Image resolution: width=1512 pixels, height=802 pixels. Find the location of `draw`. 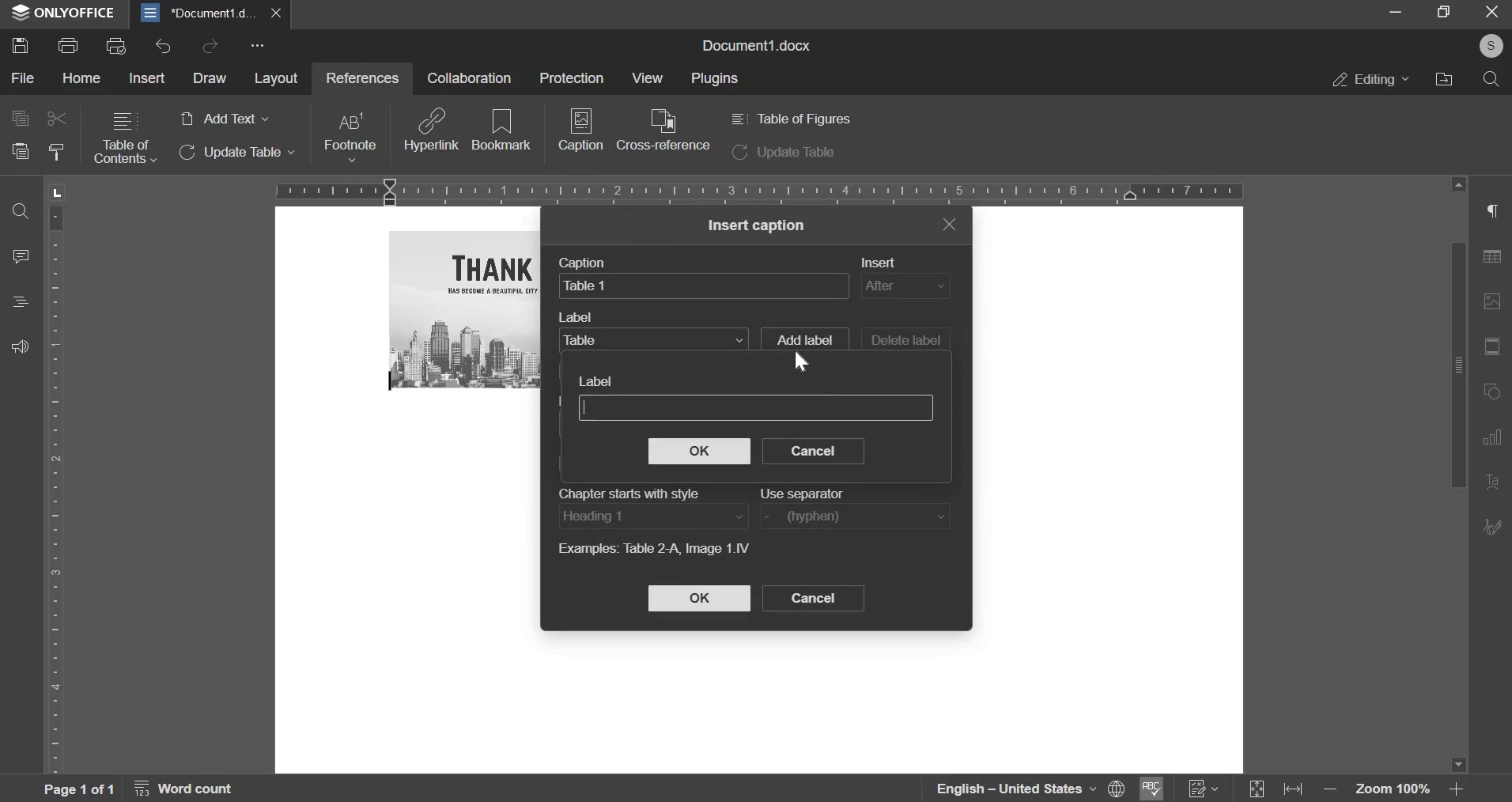

draw is located at coordinates (209, 78).